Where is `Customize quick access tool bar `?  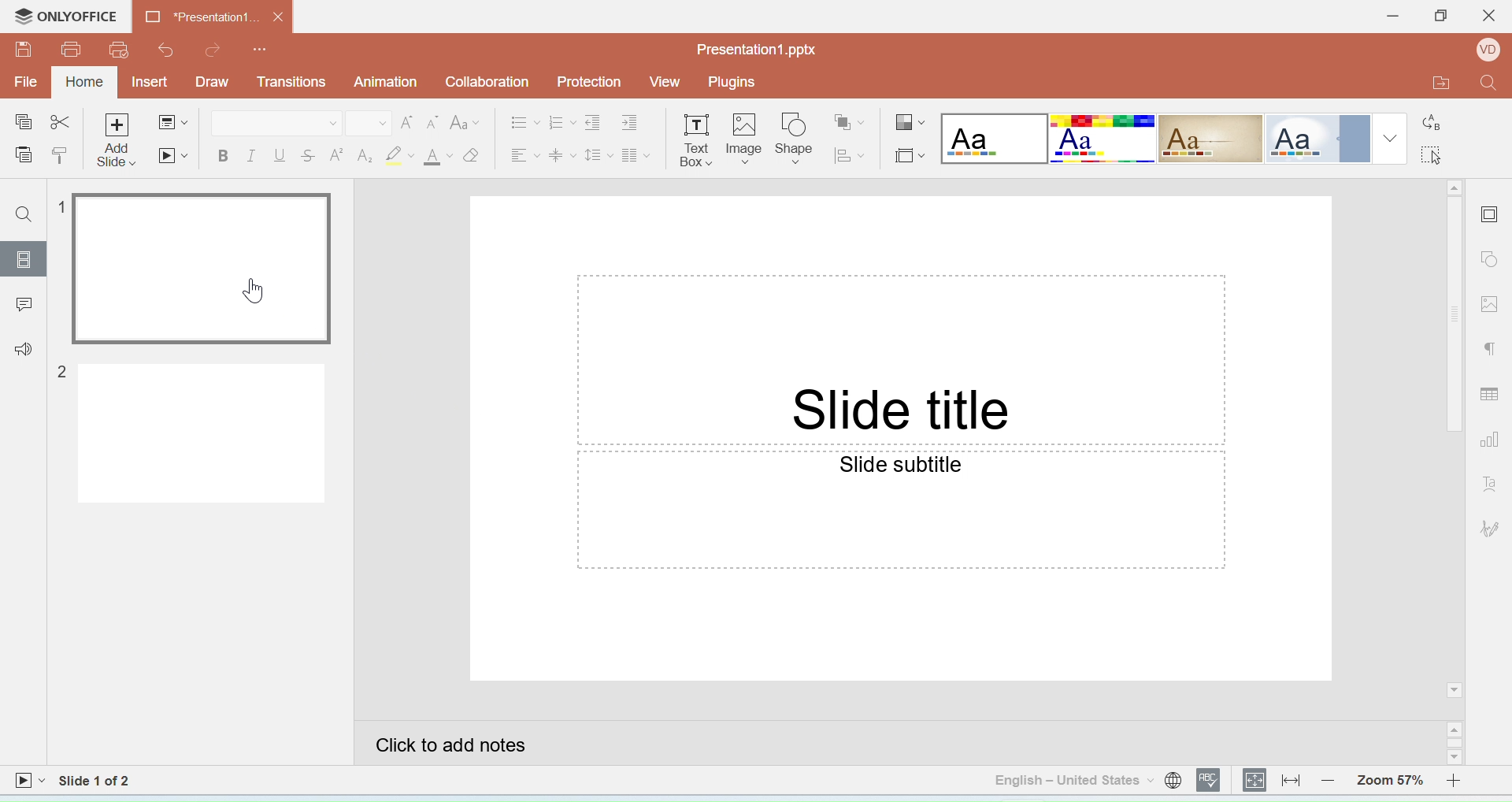
Customize quick access tool bar  is located at coordinates (261, 46).